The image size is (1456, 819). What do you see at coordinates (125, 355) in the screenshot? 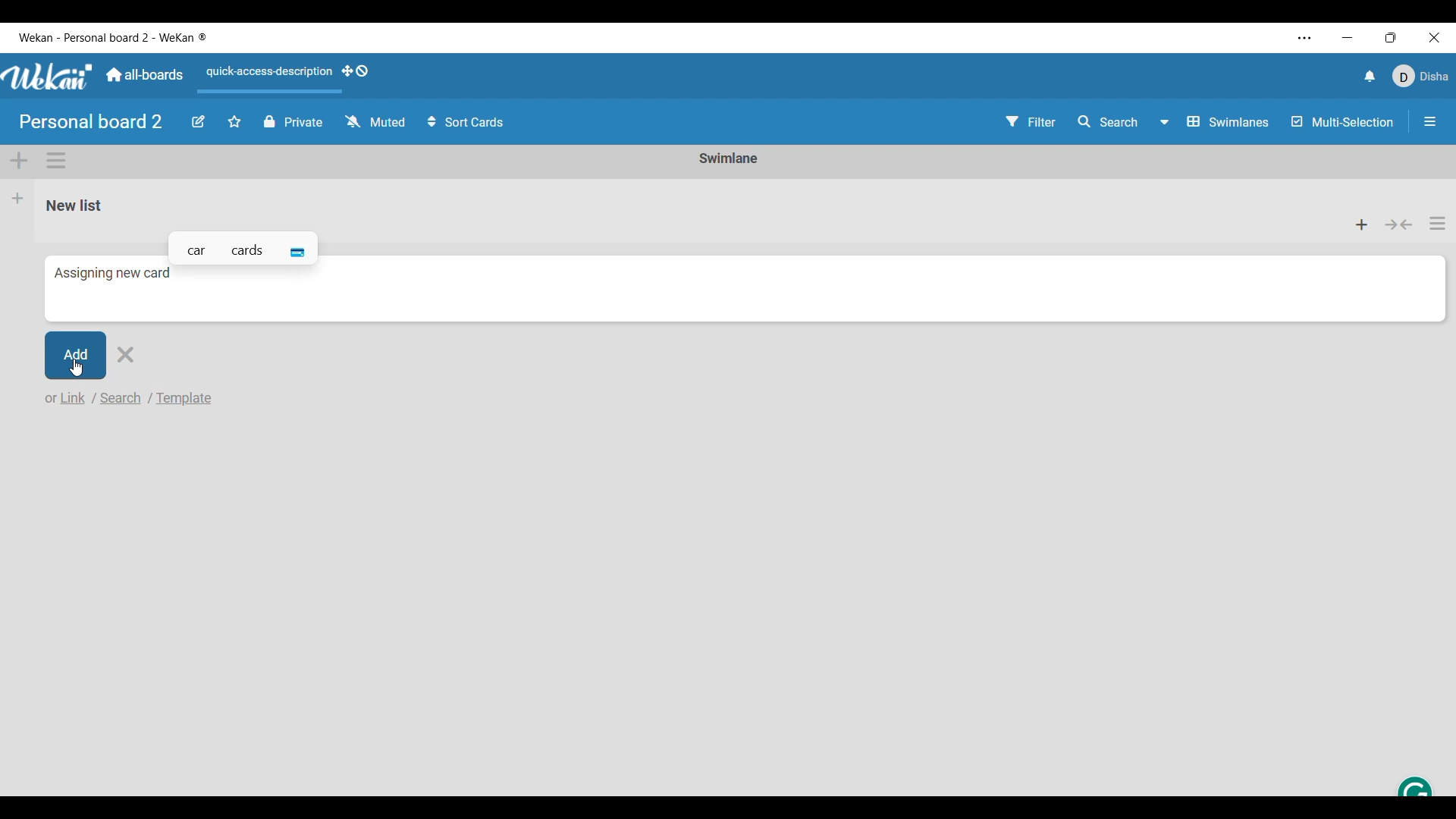
I see `Delete inputs made` at bounding box center [125, 355].